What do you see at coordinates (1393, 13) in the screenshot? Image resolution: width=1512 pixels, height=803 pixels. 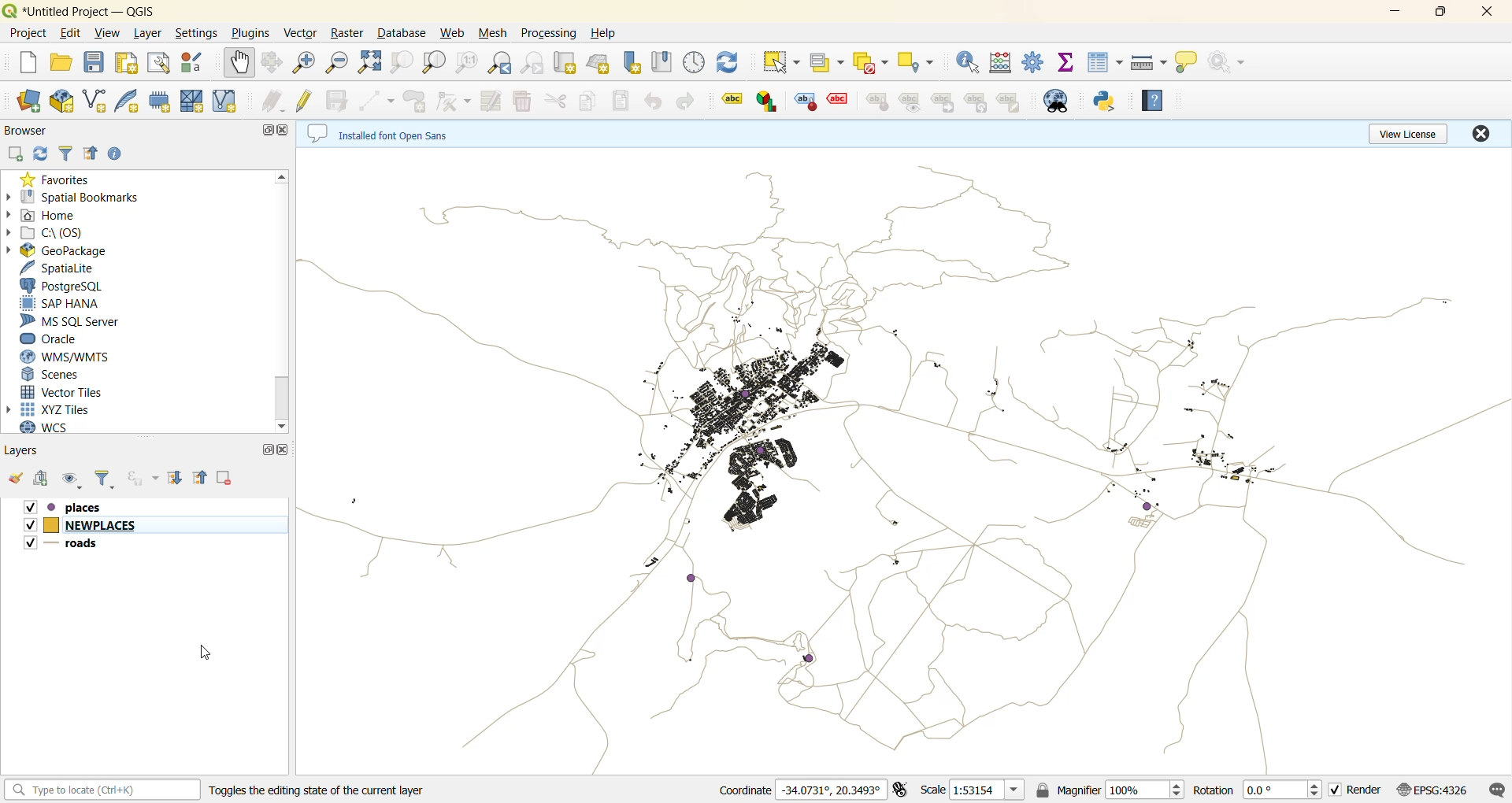 I see `minimzie` at bounding box center [1393, 13].